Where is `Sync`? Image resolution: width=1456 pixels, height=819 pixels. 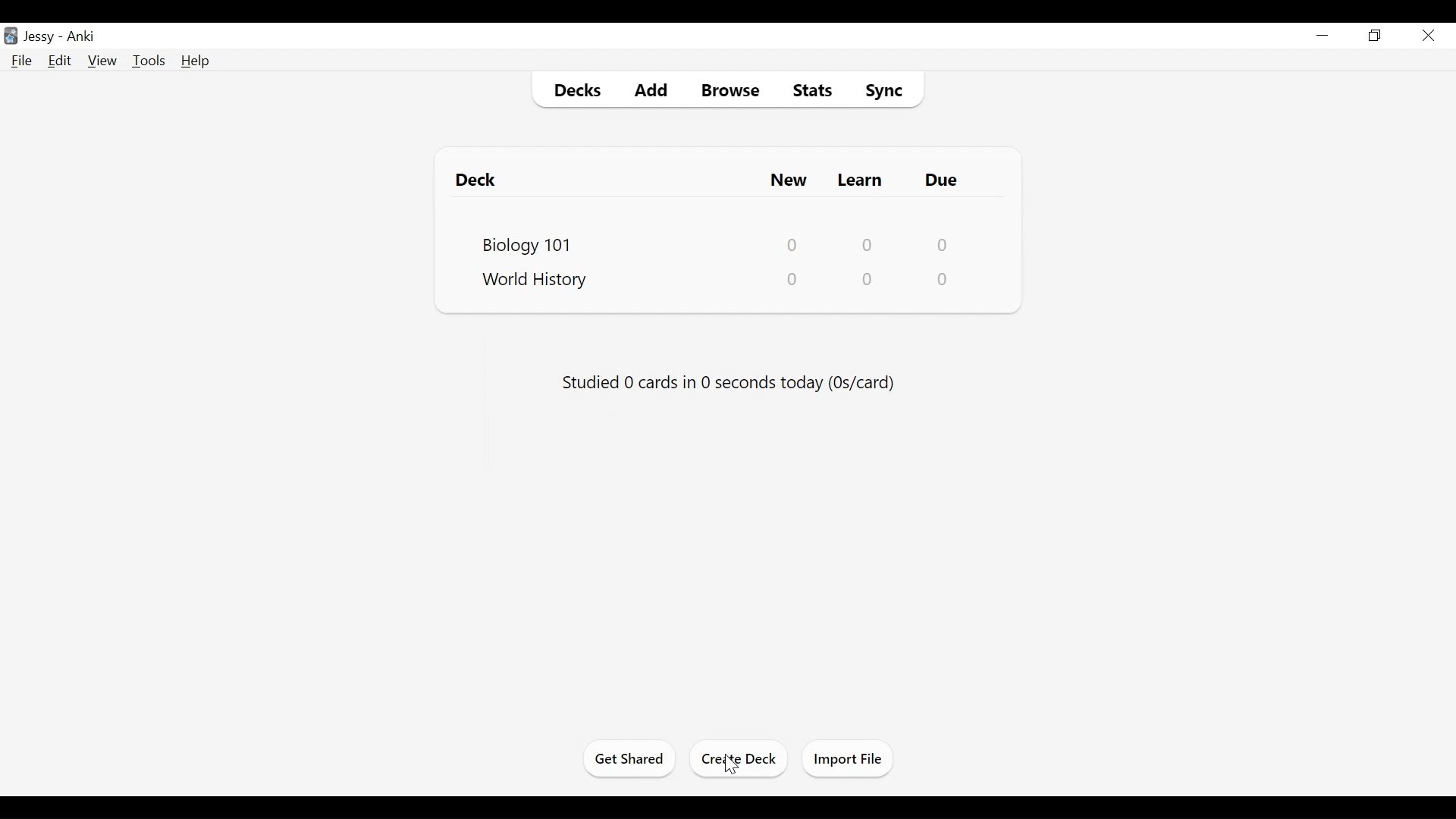 Sync is located at coordinates (886, 88).